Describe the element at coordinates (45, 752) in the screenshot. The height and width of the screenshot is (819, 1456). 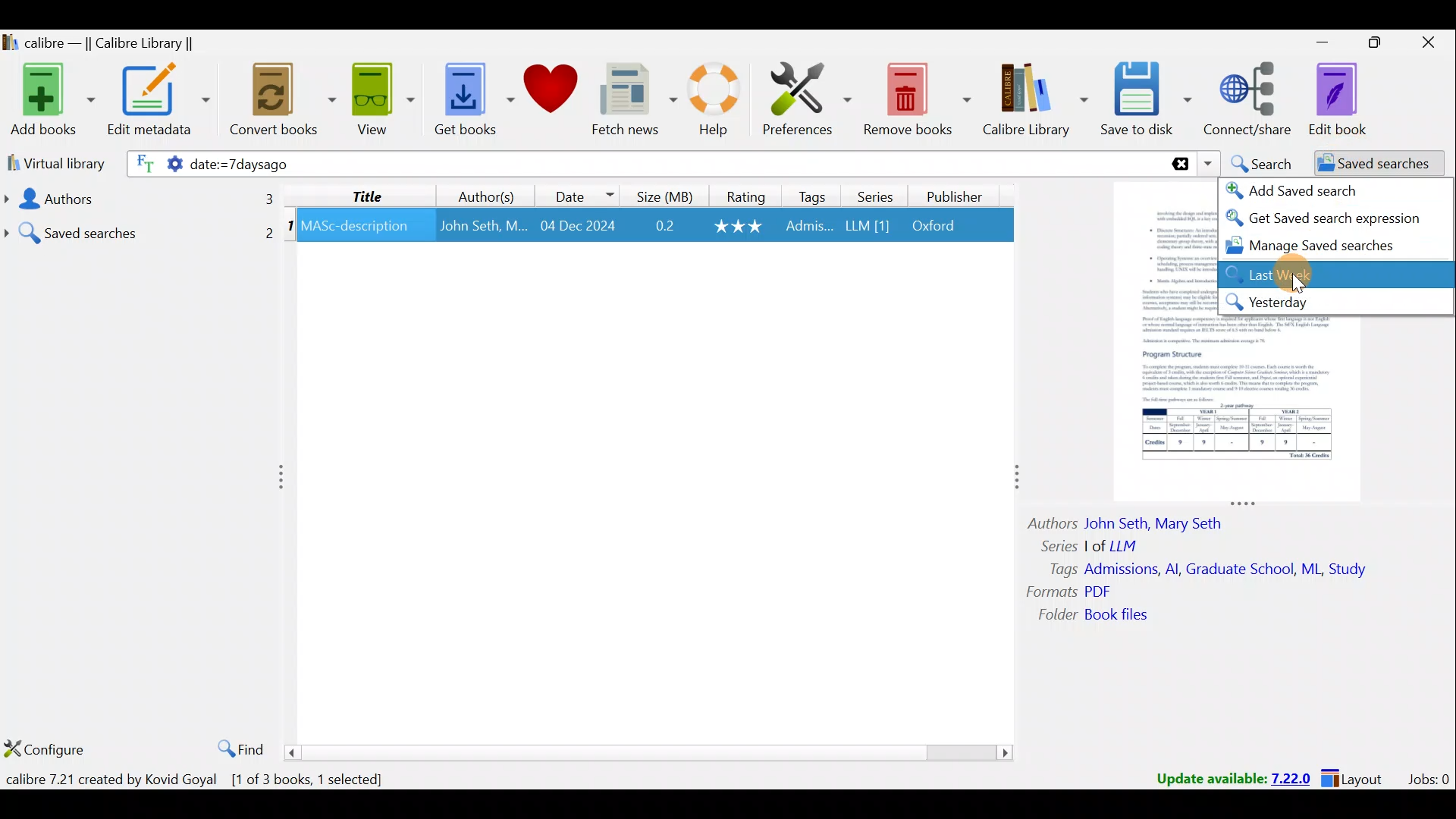
I see `Configure` at that location.